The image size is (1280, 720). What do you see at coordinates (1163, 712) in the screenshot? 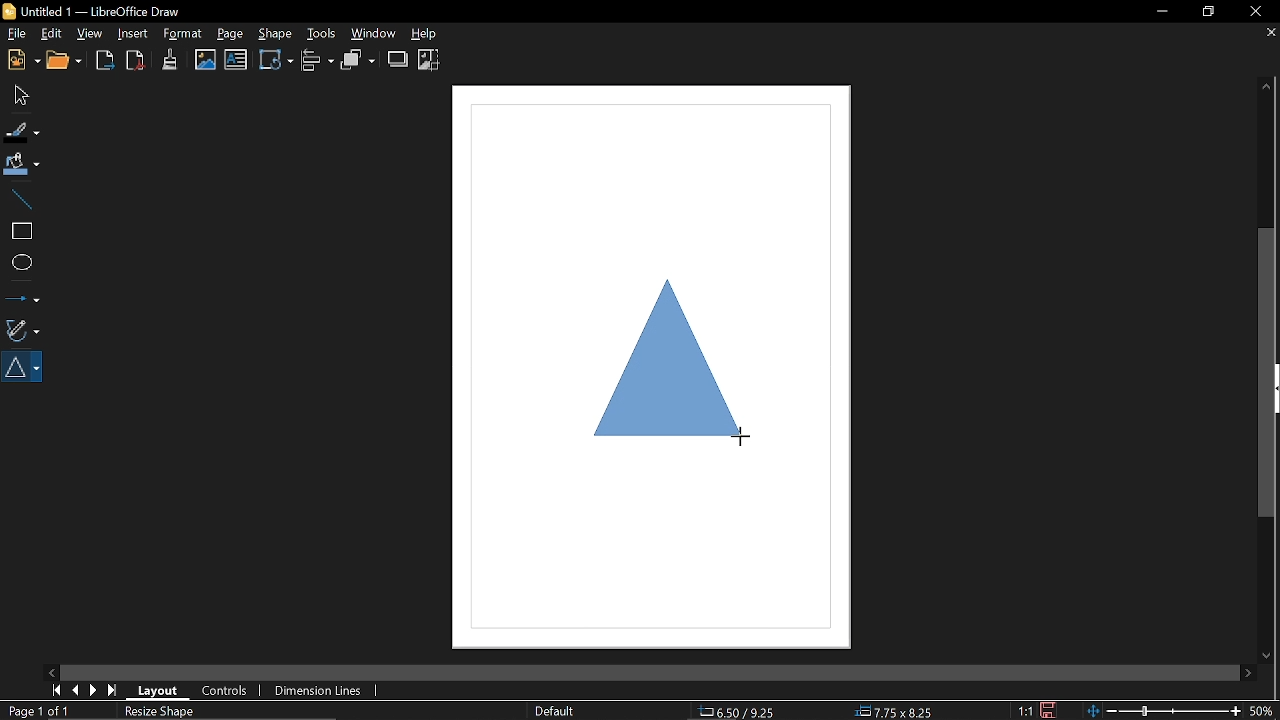
I see `Change zopm` at bounding box center [1163, 712].